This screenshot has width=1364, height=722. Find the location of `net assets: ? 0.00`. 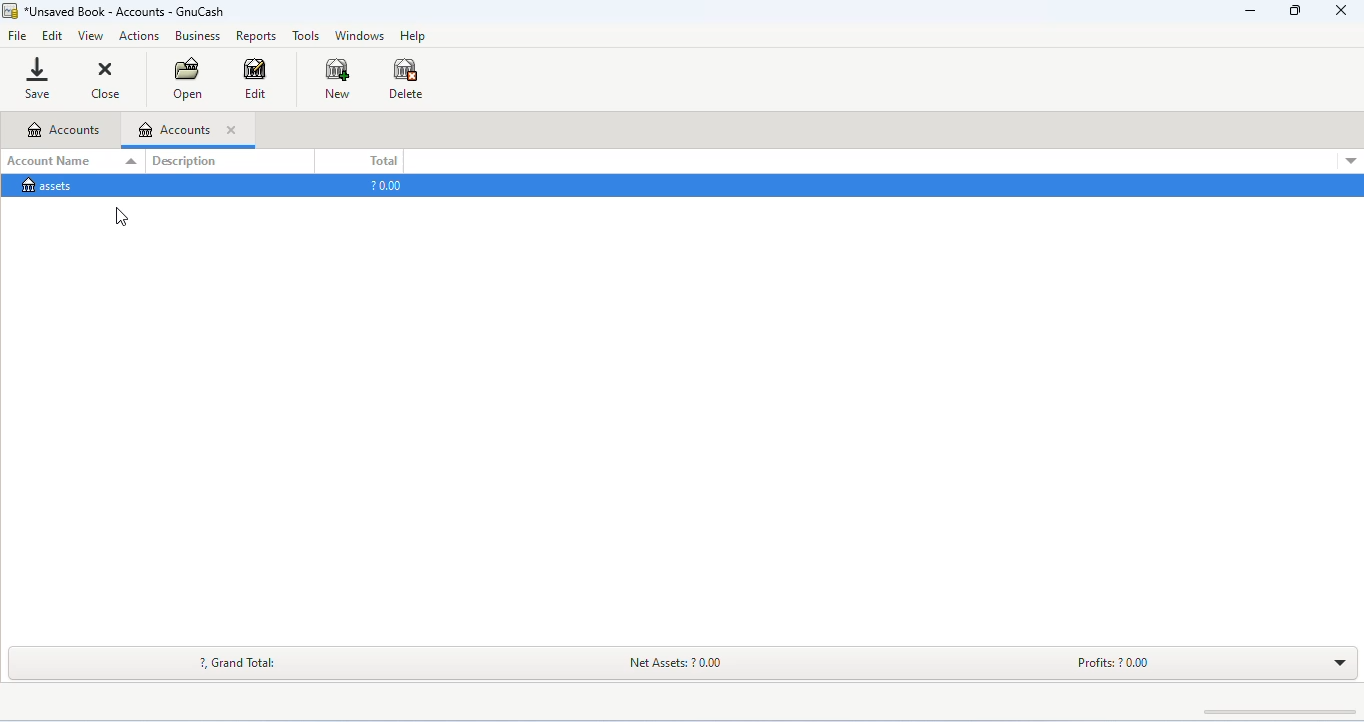

net assets: ? 0.00 is located at coordinates (692, 663).